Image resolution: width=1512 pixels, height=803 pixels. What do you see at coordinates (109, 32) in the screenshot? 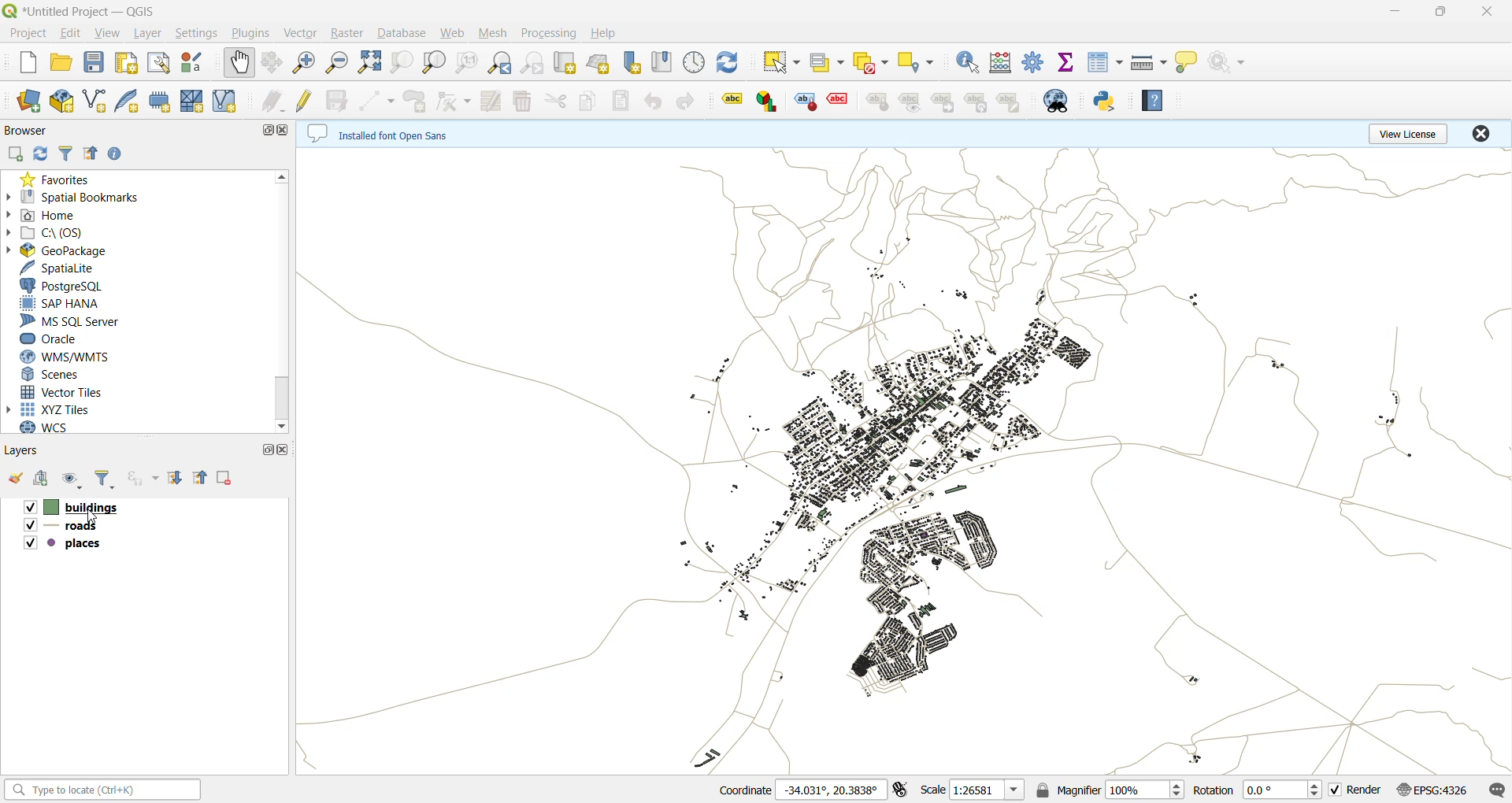
I see `view` at bounding box center [109, 32].